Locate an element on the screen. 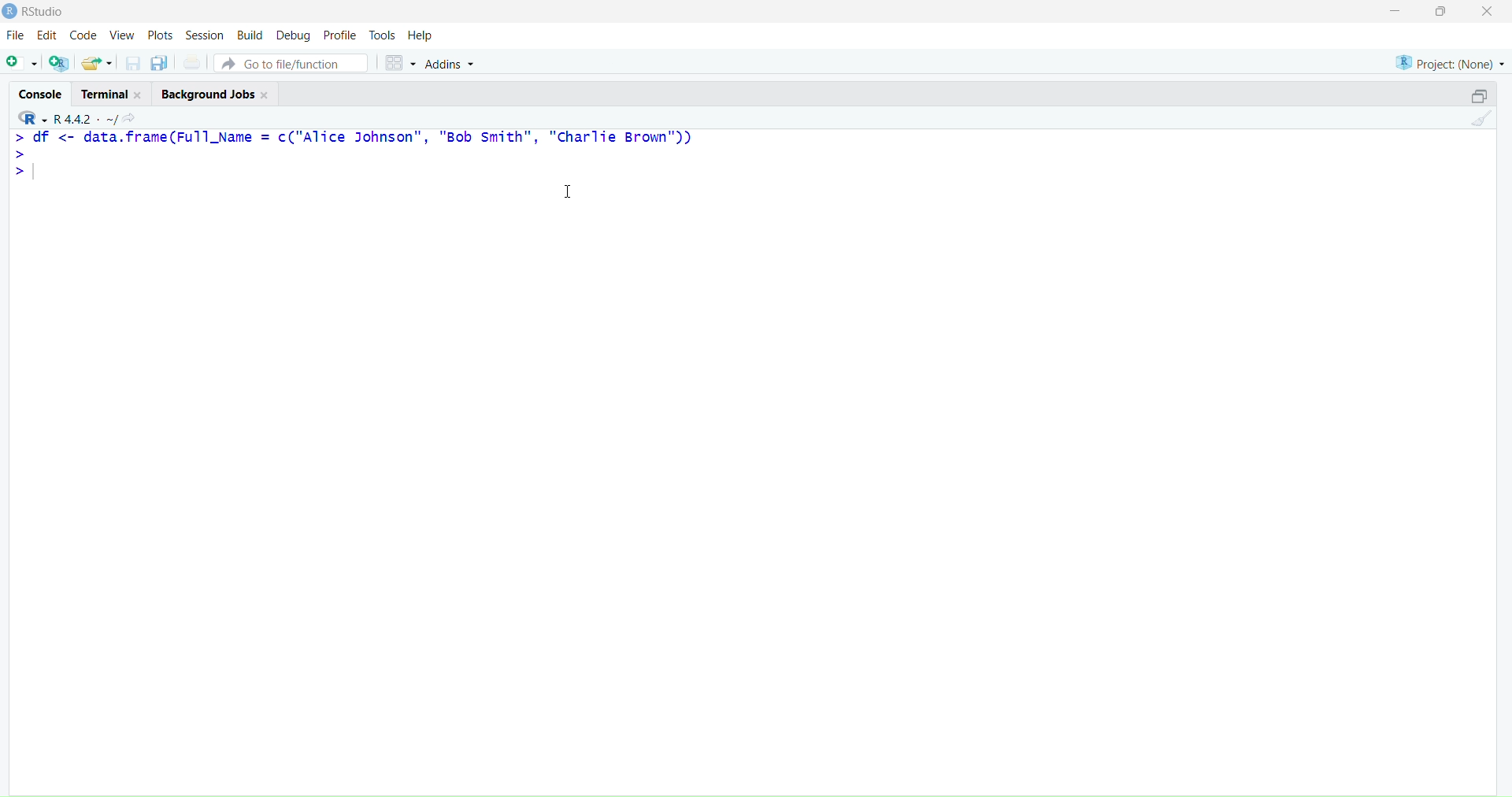  Cursor is located at coordinates (571, 194).